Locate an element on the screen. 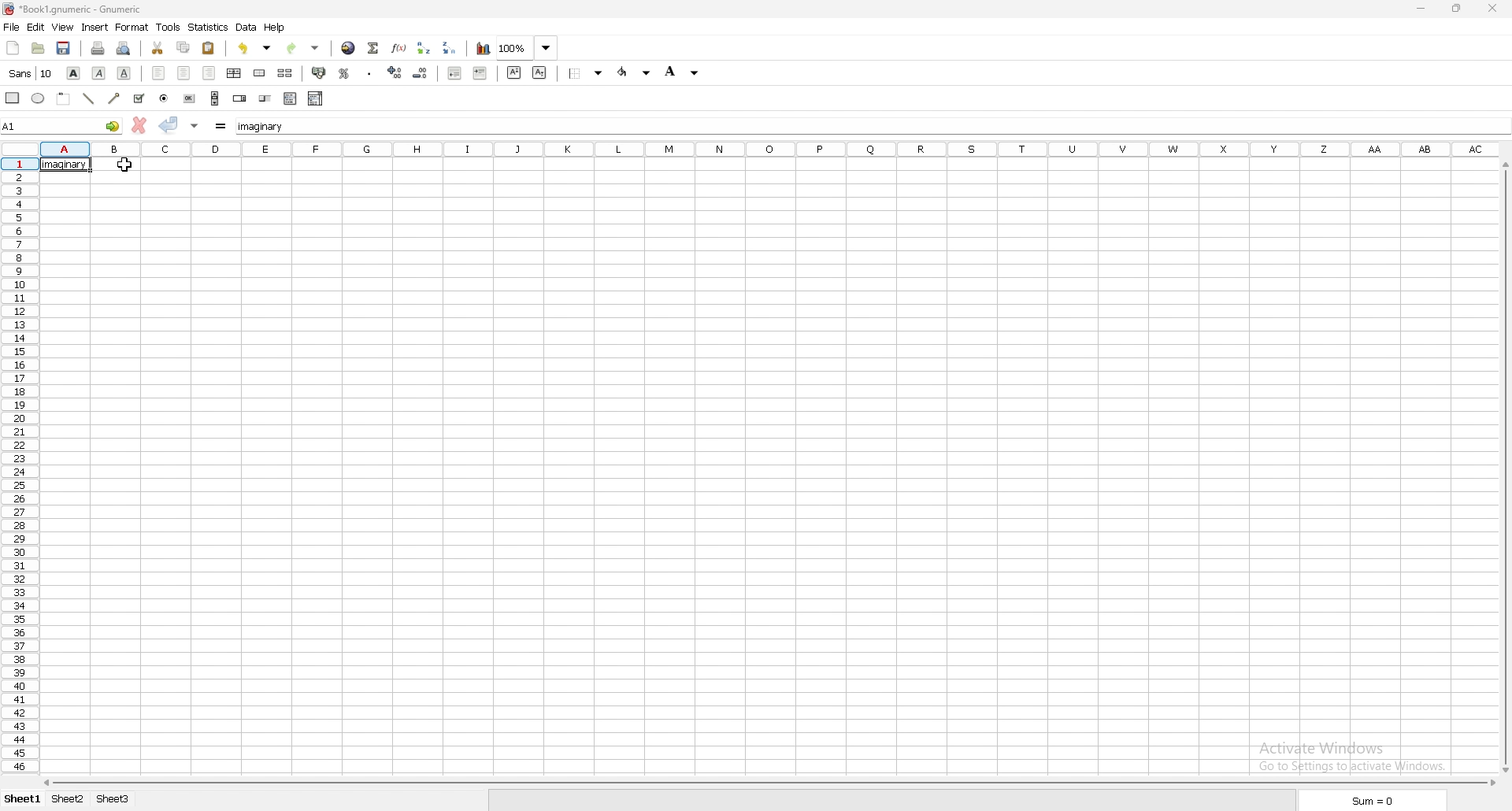 Image resolution: width=1512 pixels, height=811 pixels. save is located at coordinates (64, 49).